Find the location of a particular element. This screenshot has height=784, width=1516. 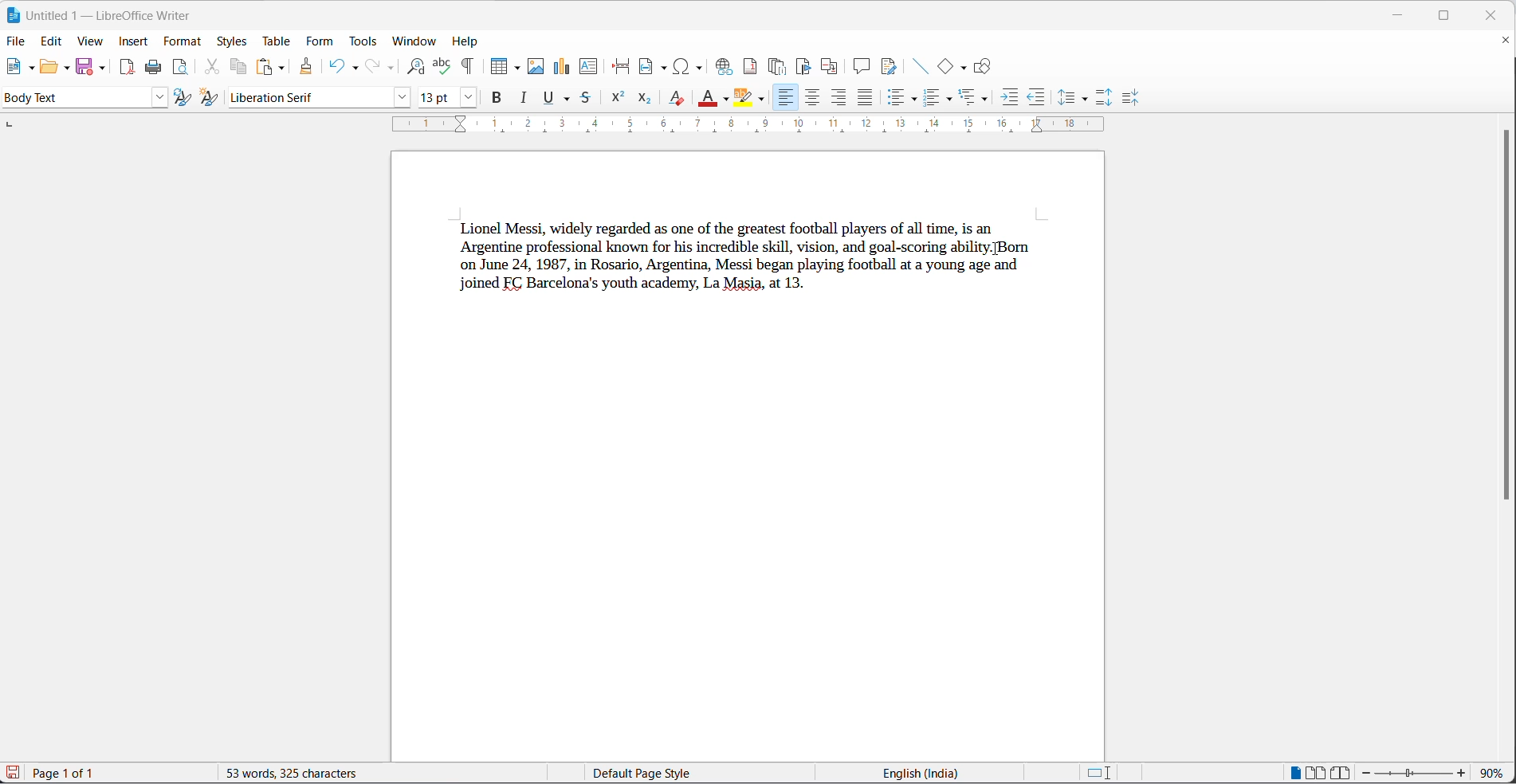

update selected style is located at coordinates (184, 98).